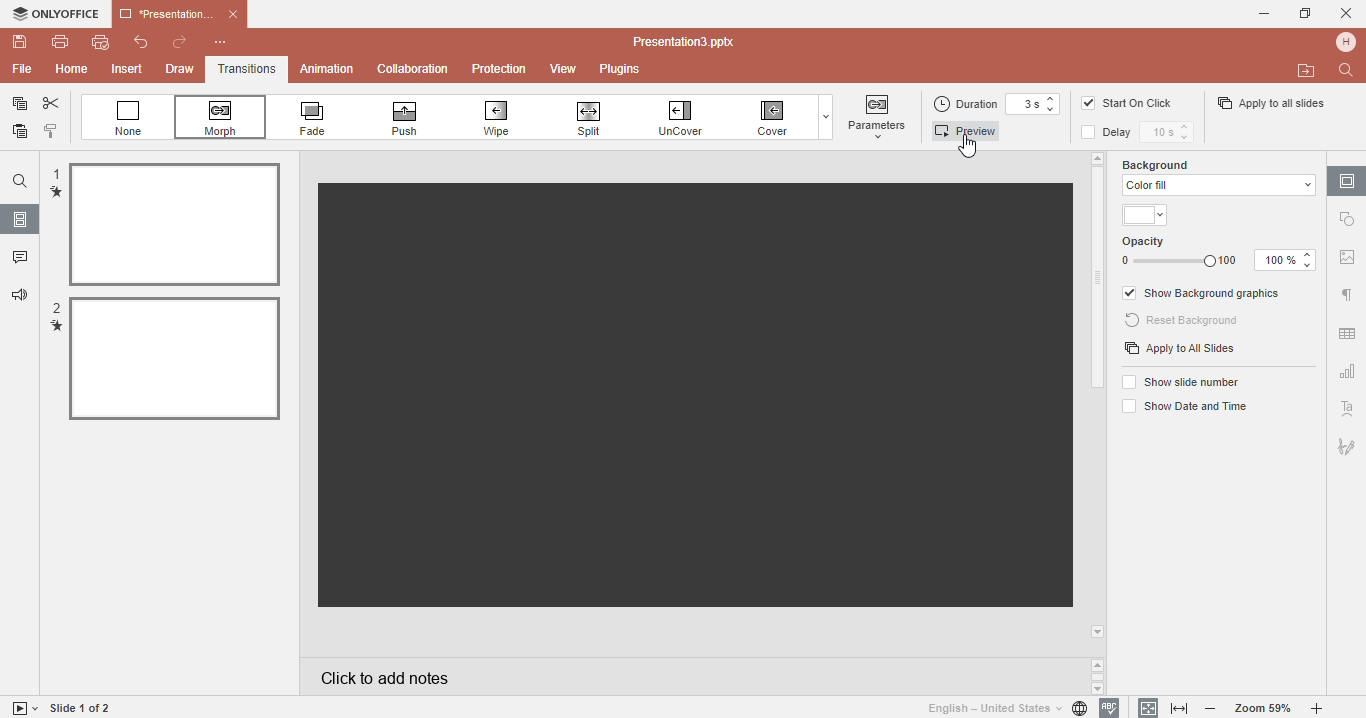  I want to click on Cancel, so click(1346, 13).